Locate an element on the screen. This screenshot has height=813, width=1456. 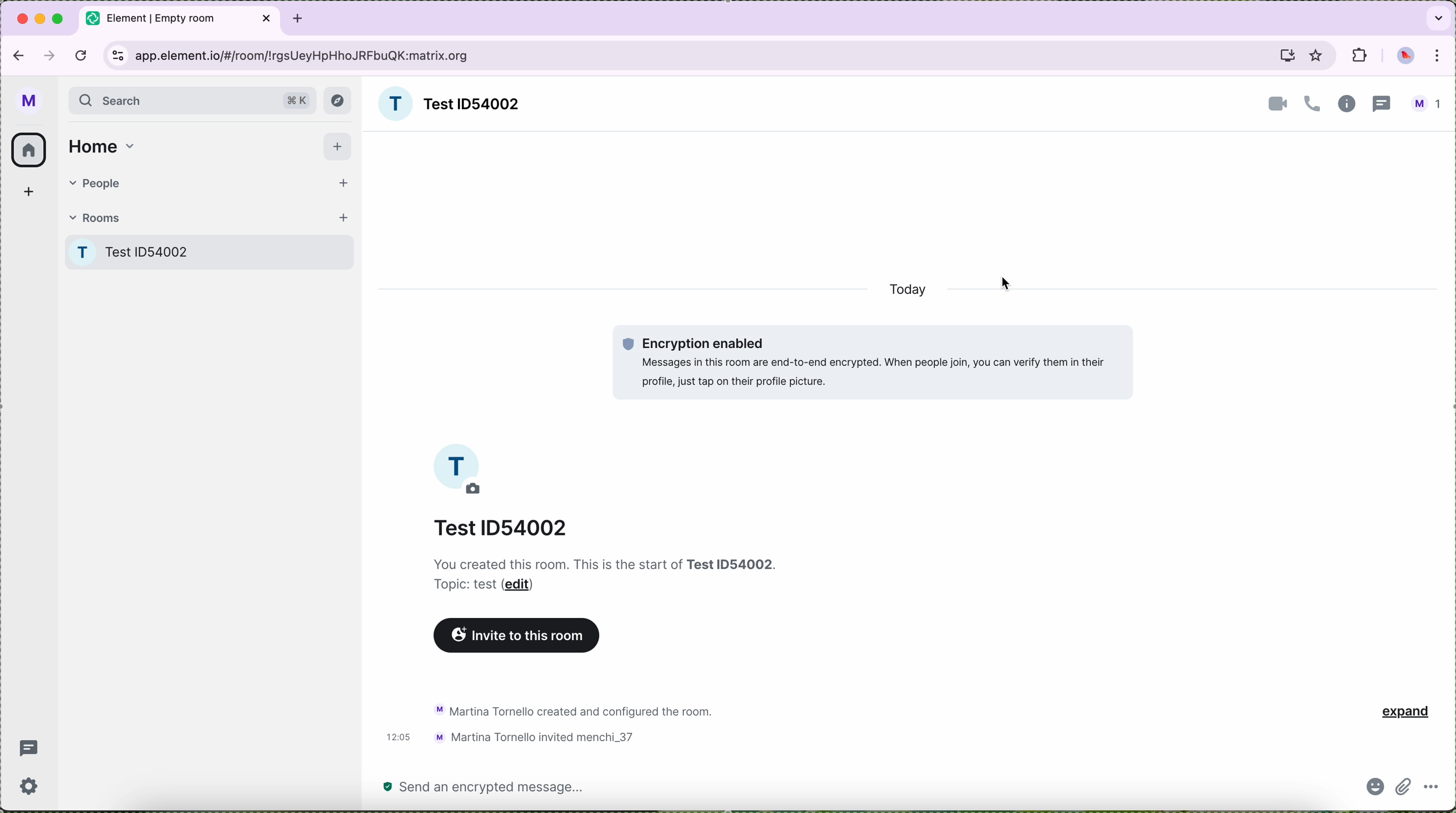
add button is located at coordinates (340, 147).